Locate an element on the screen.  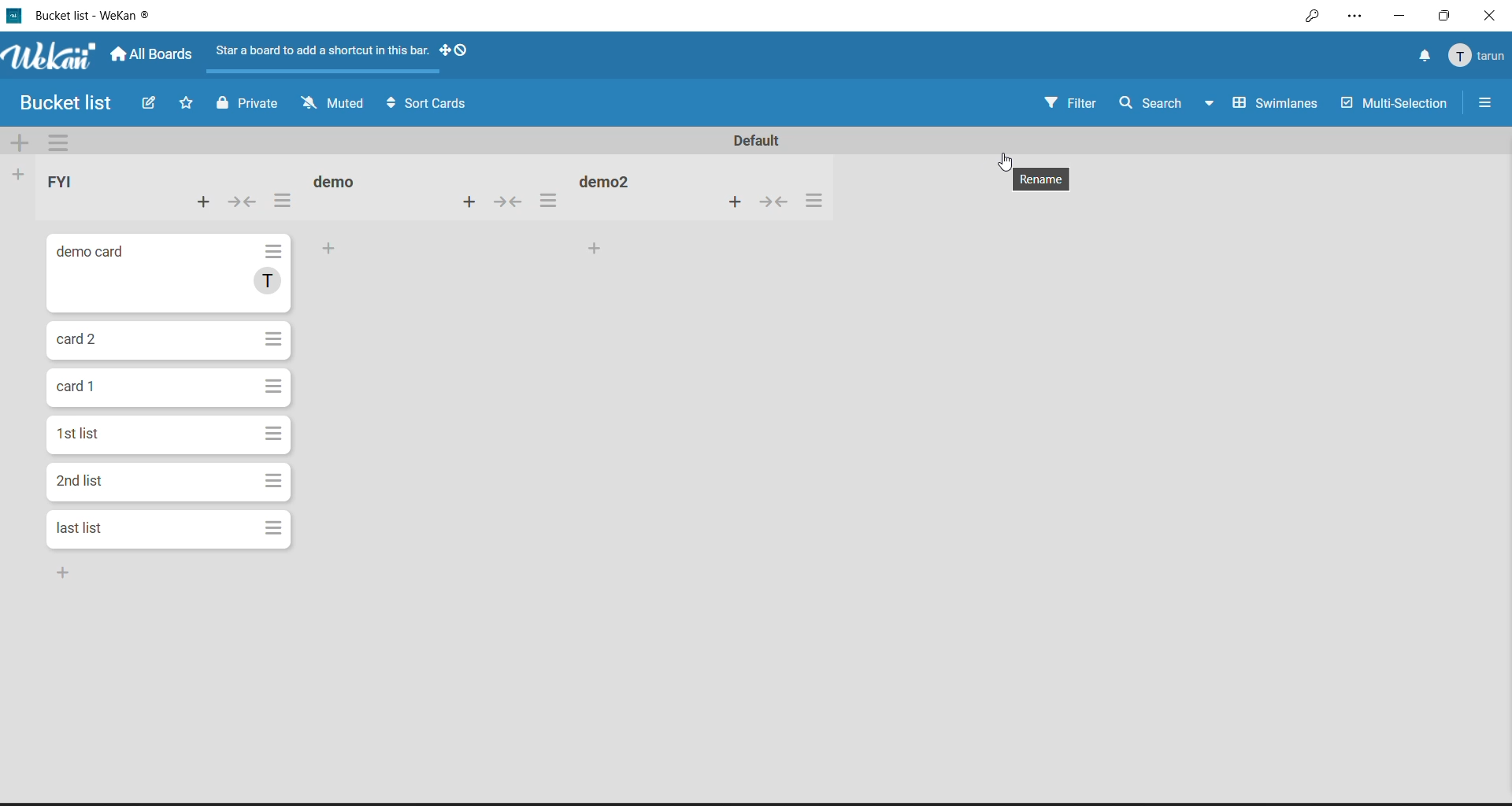
minimize is located at coordinates (1395, 16).